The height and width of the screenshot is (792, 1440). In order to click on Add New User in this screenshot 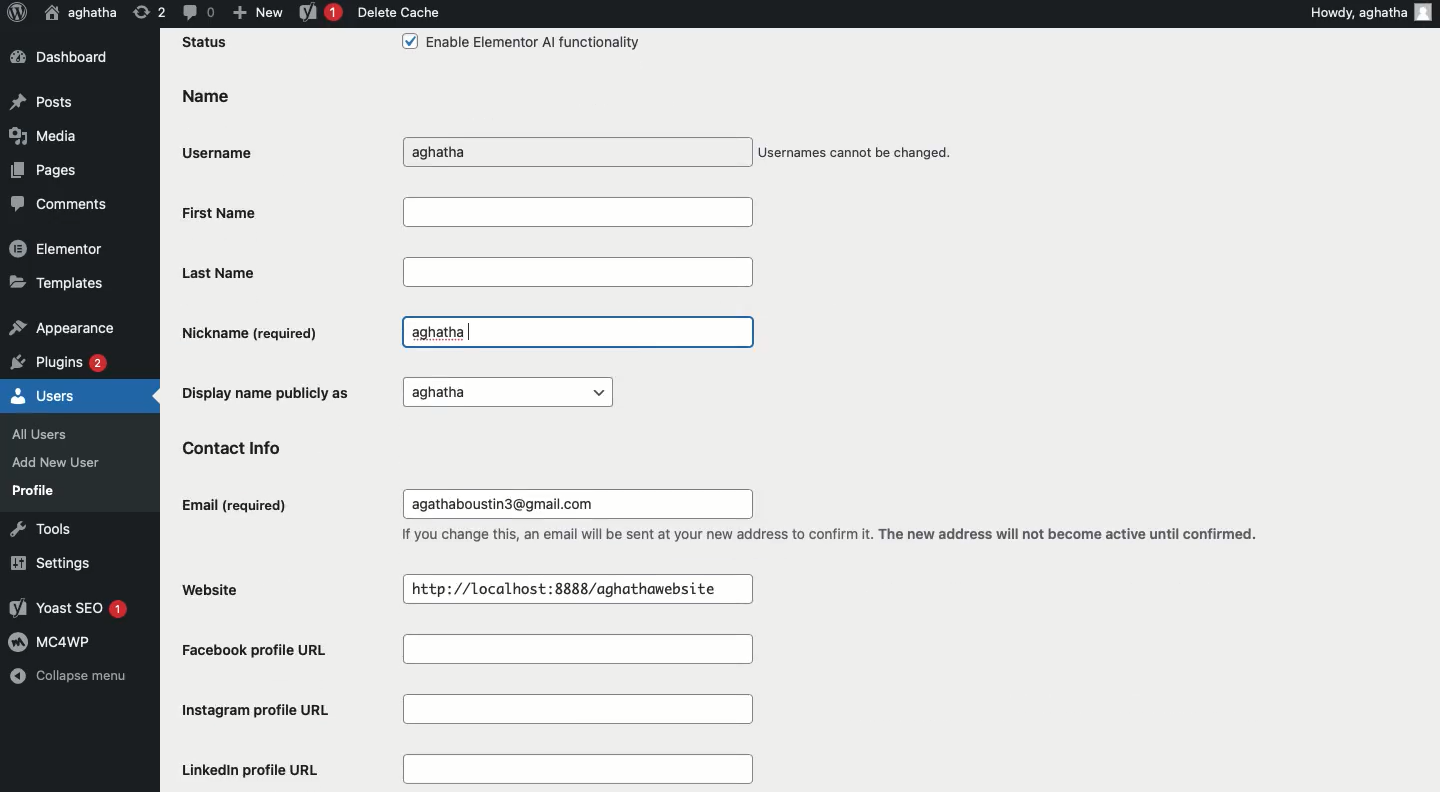, I will do `click(54, 462)`.